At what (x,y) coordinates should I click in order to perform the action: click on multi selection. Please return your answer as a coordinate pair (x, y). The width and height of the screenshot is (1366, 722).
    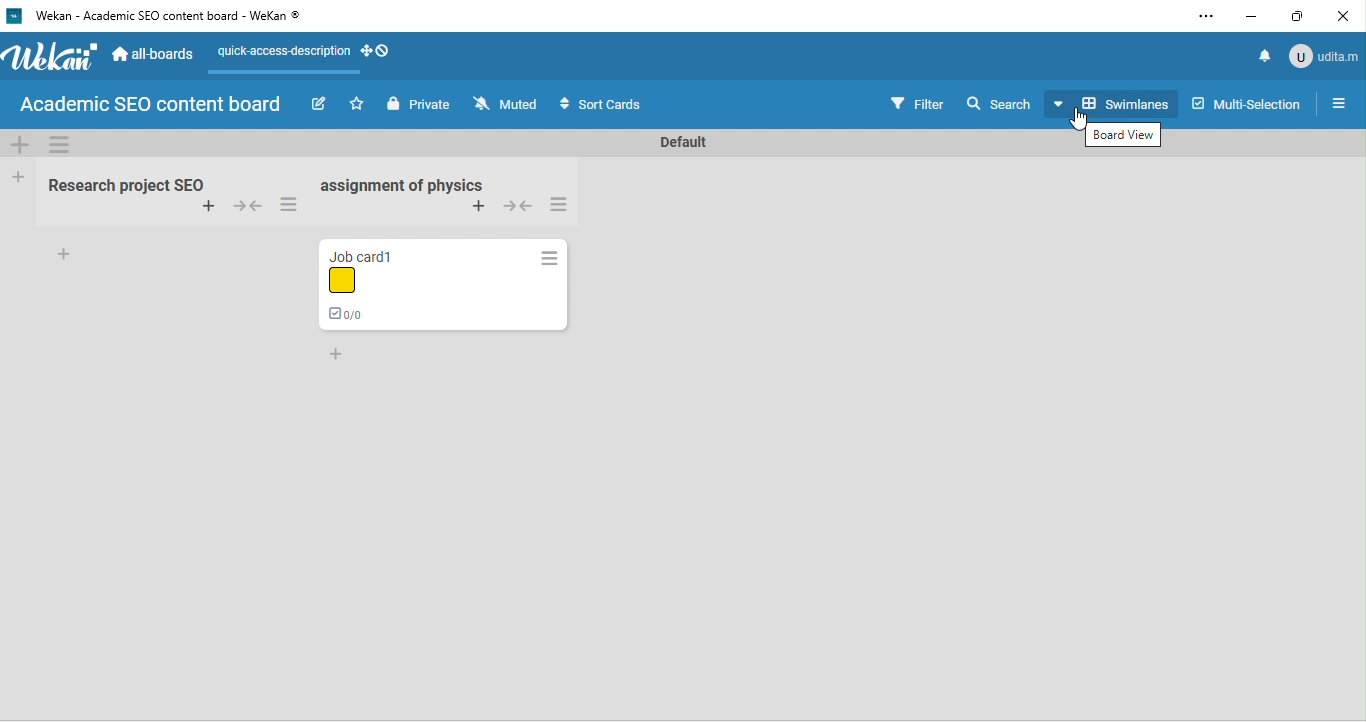
    Looking at the image, I should click on (1246, 105).